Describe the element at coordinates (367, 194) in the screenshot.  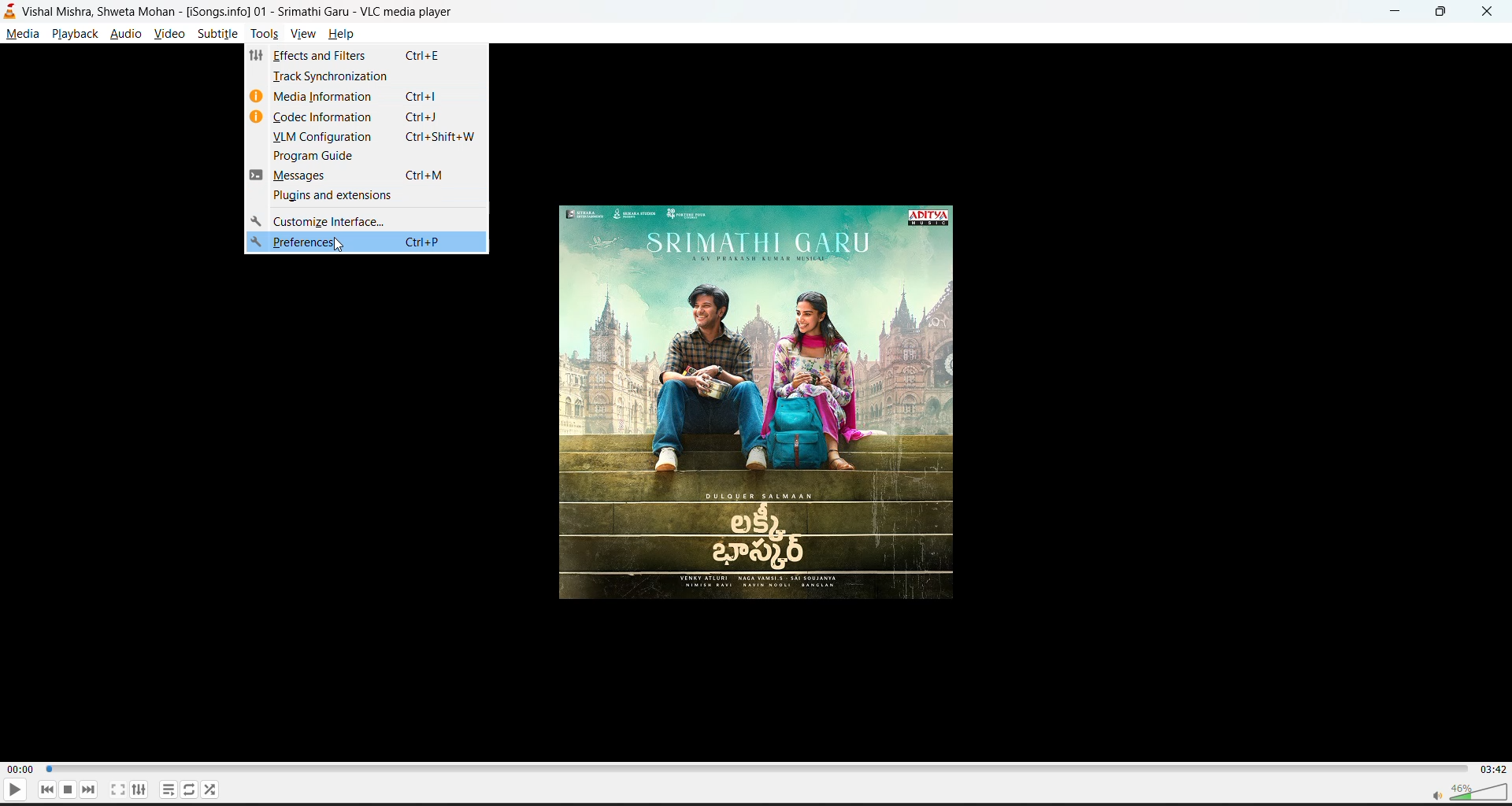
I see `plugins and extensions` at that location.